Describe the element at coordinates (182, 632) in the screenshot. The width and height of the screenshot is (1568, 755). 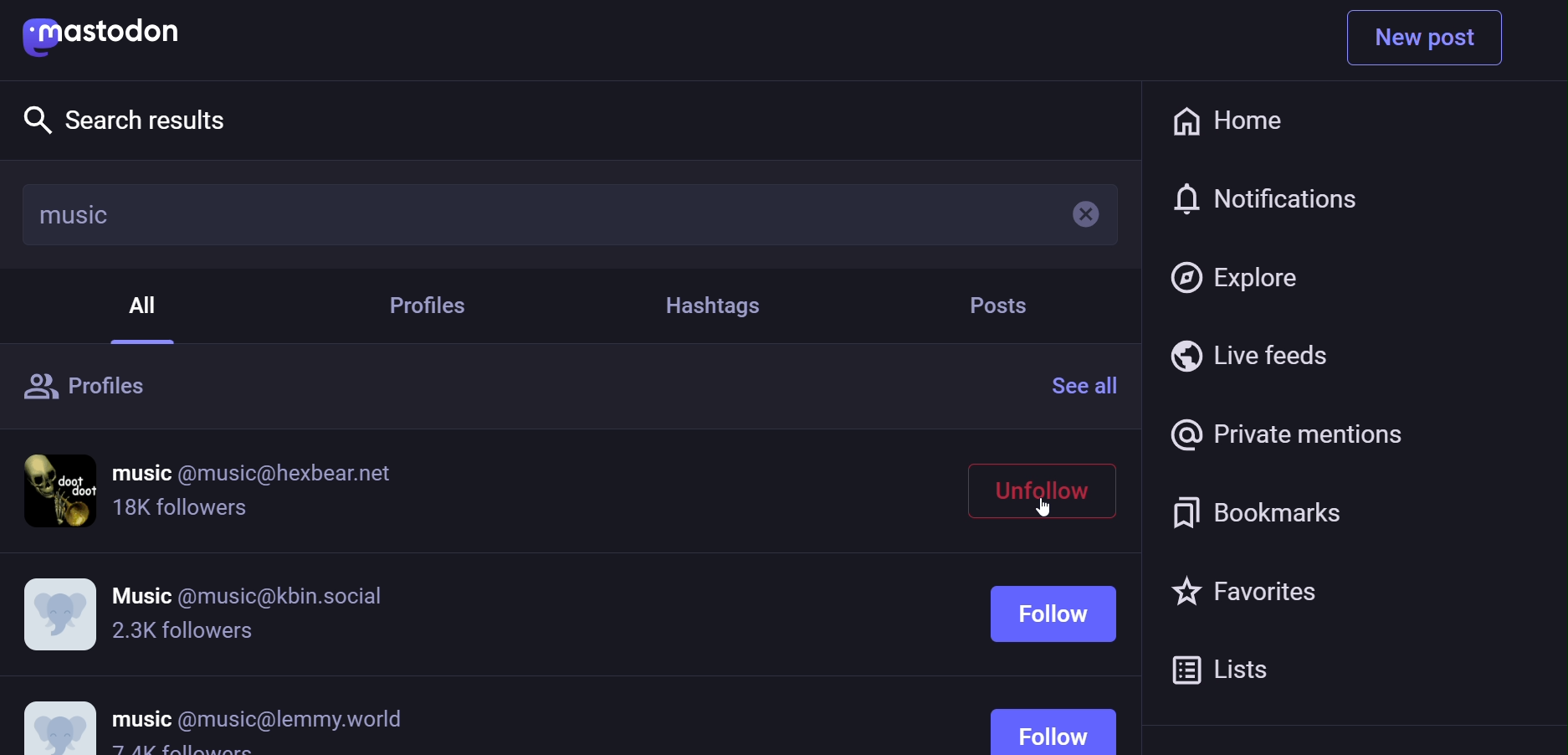
I see `followers` at that location.